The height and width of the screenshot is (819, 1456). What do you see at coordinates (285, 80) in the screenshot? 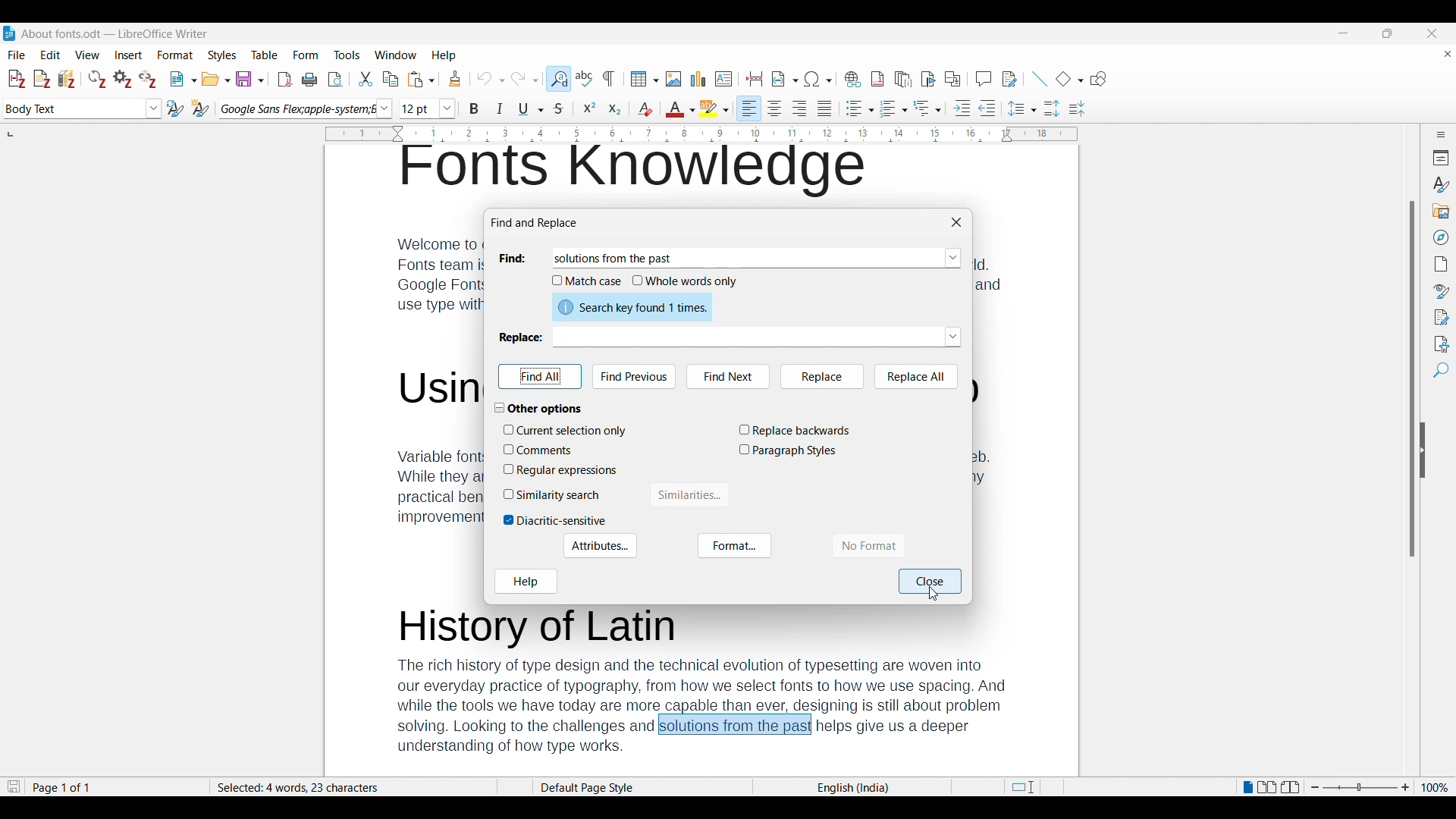
I see `Export directly as PDF` at bounding box center [285, 80].